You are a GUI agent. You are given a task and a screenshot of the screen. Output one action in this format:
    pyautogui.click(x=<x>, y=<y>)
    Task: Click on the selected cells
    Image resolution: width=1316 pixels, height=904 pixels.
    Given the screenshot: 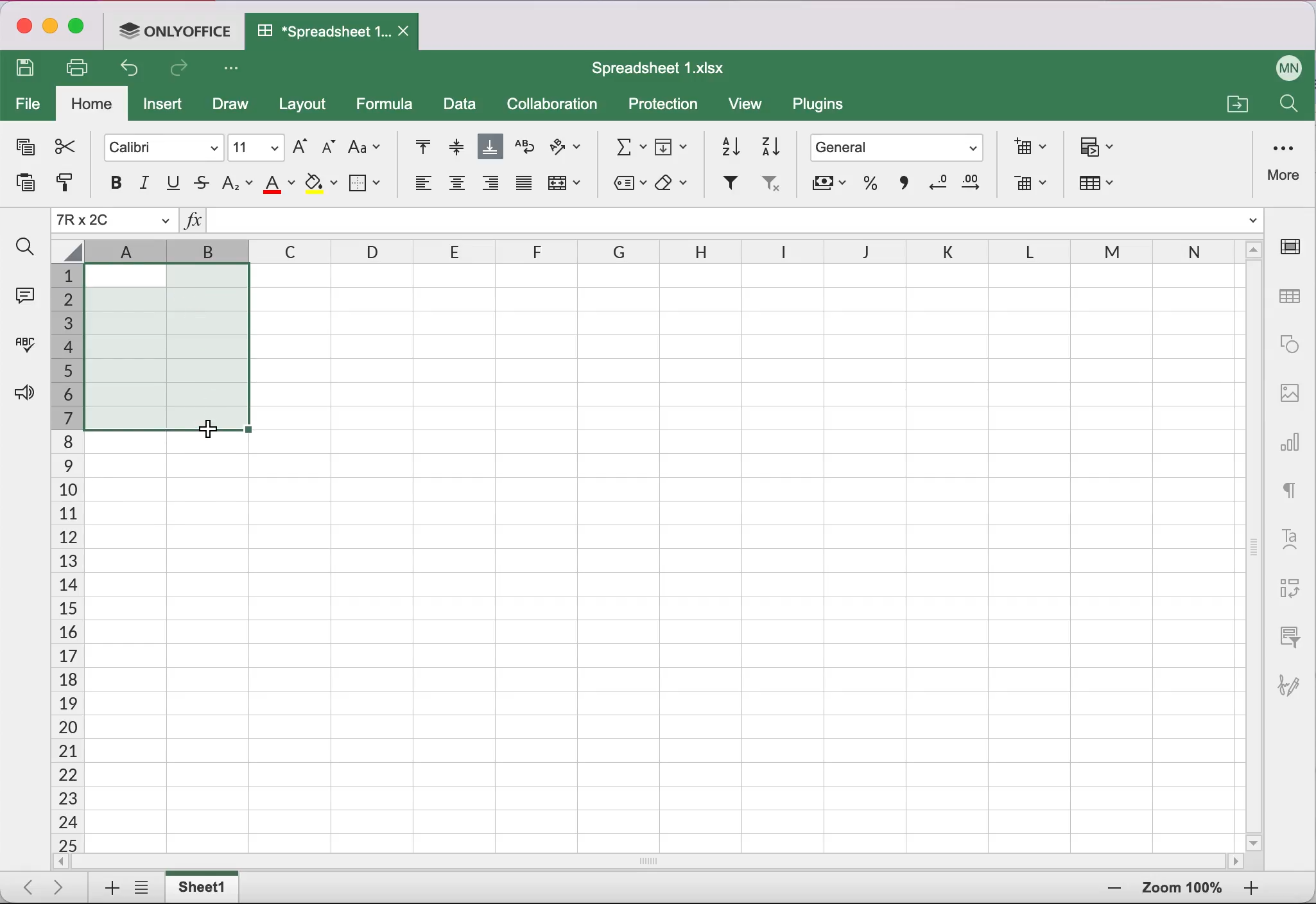 What is the action you would take?
    pyautogui.click(x=166, y=346)
    